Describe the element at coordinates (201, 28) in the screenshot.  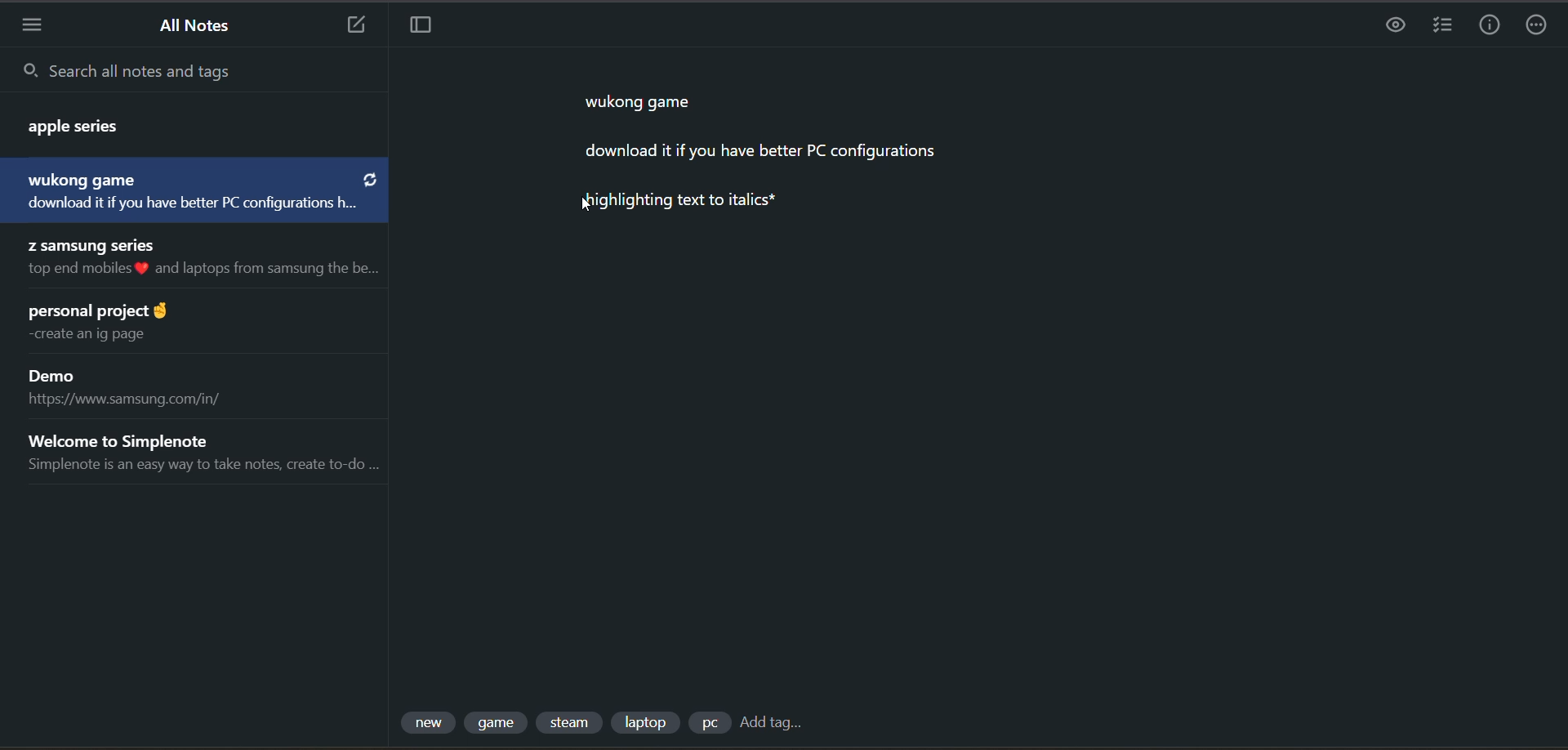
I see `all notes` at that location.